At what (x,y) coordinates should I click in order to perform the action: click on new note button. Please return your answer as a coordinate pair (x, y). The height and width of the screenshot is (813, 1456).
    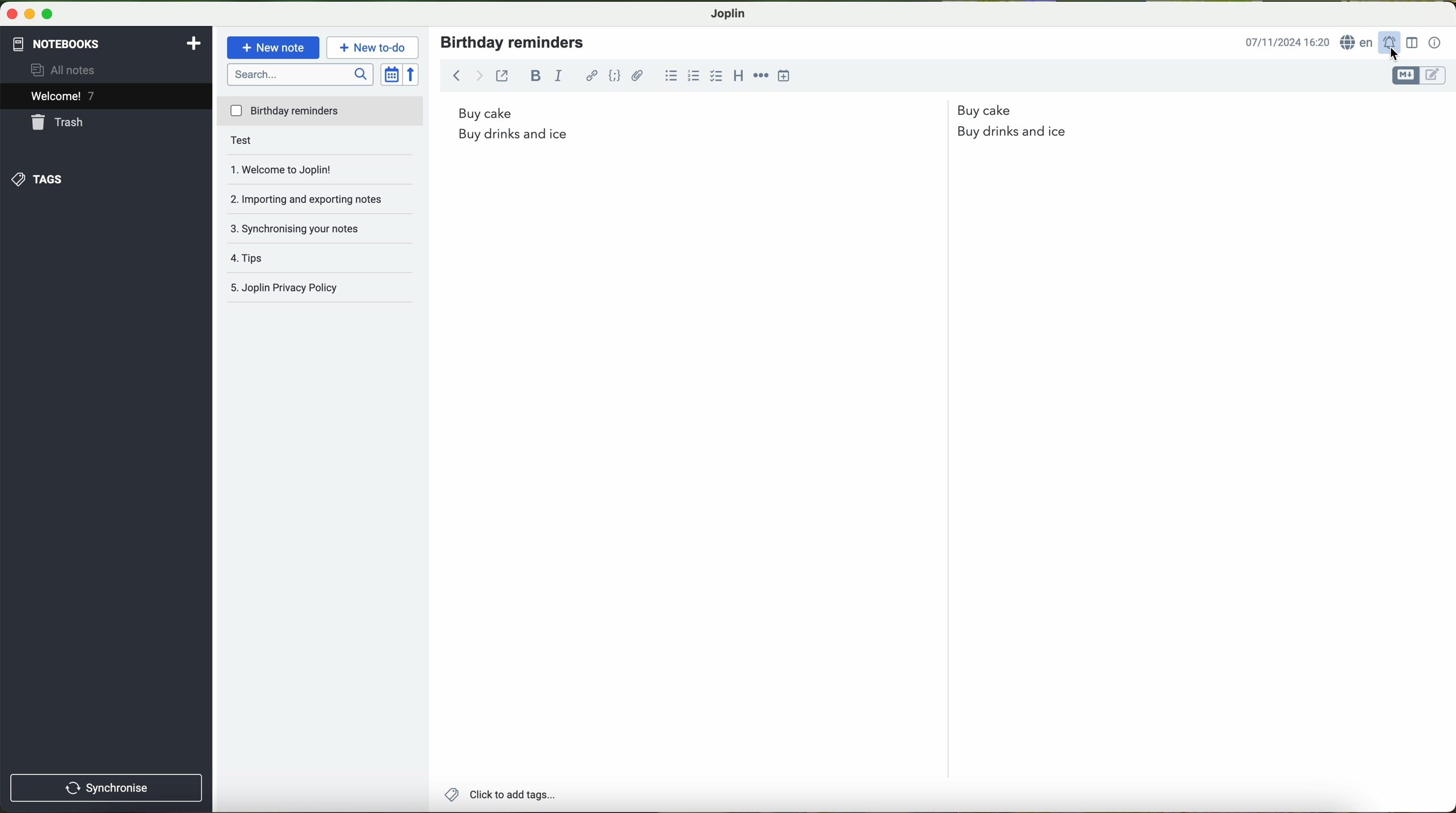
    Looking at the image, I should click on (272, 47).